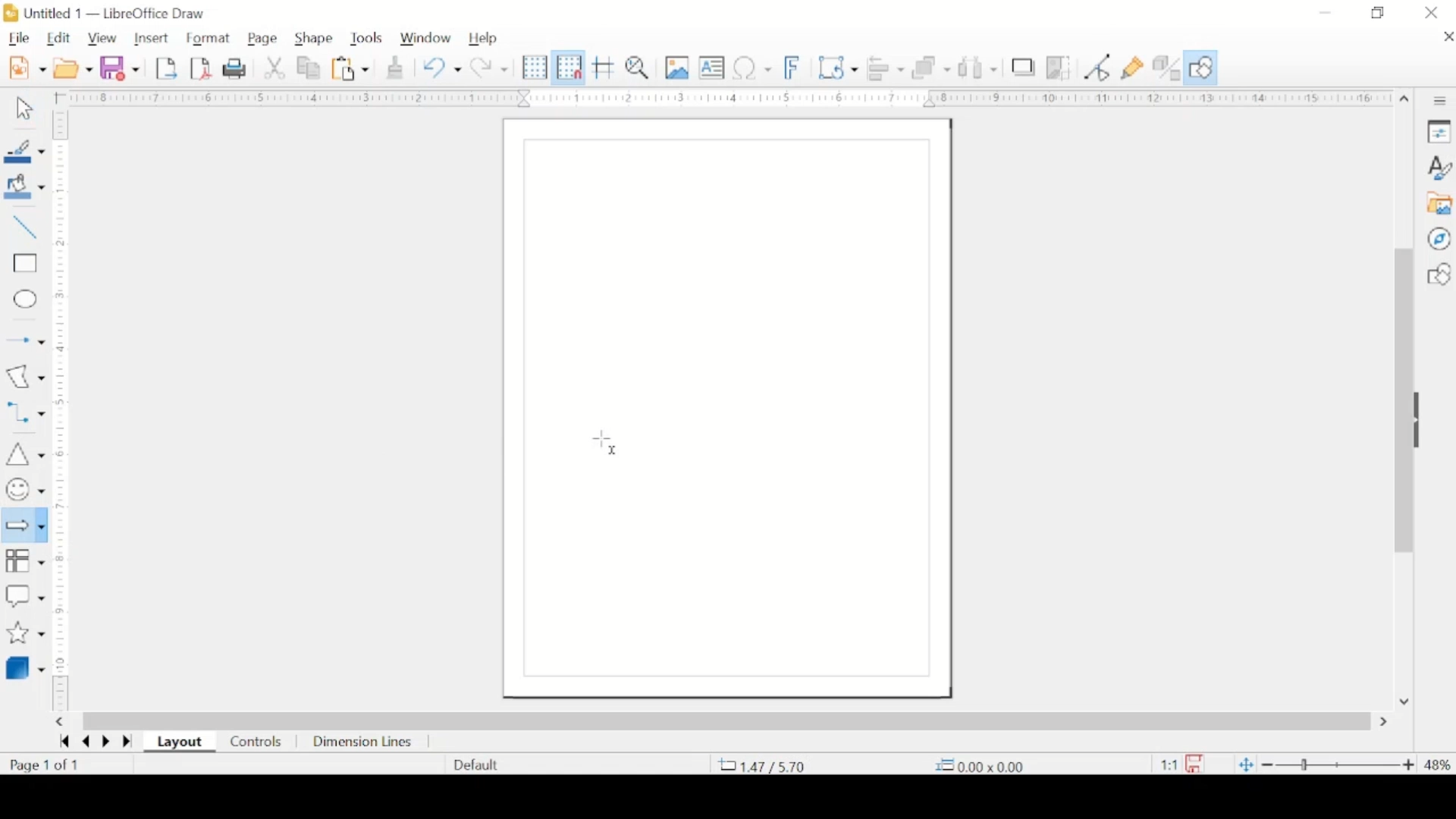 This screenshot has height=819, width=1456. What do you see at coordinates (24, 525) in the screenshot?
I see `block arrow` at bounding box center [24, 525].